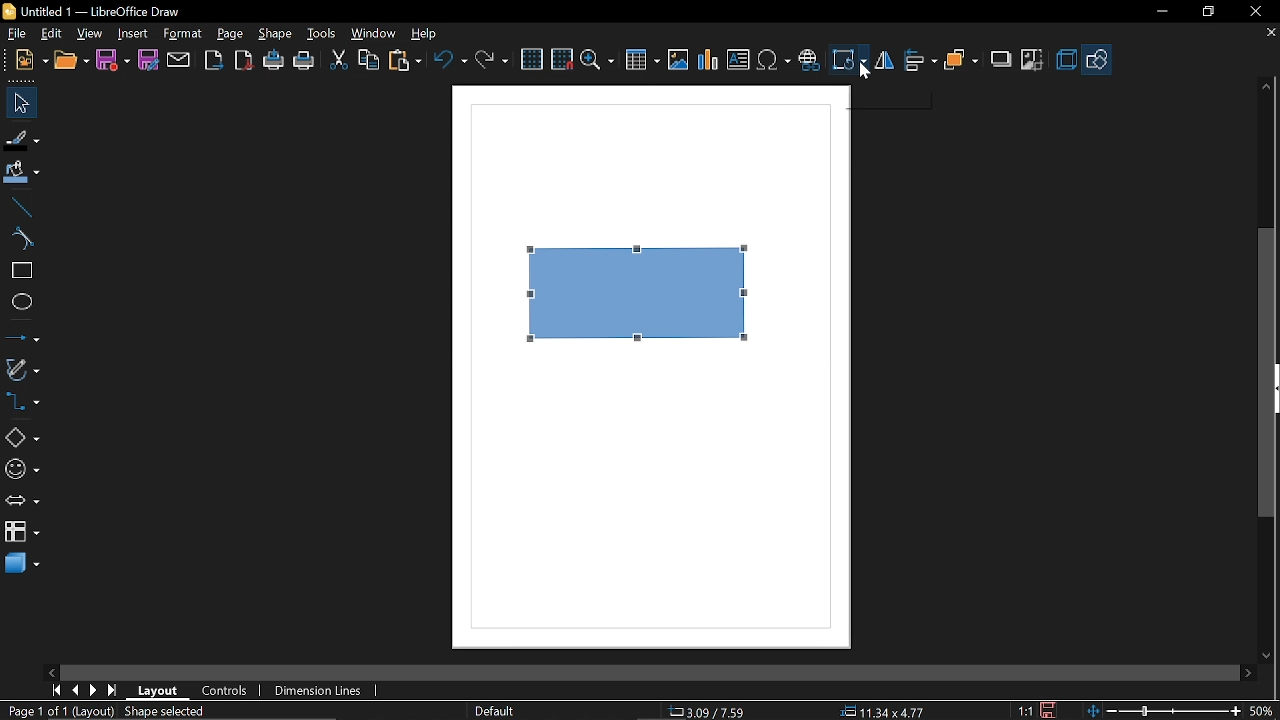 The width and height of the screenshot is (1280, 720). Describe the element at coordinates (183, 34) in the screenshot. I see `Format` at that location.